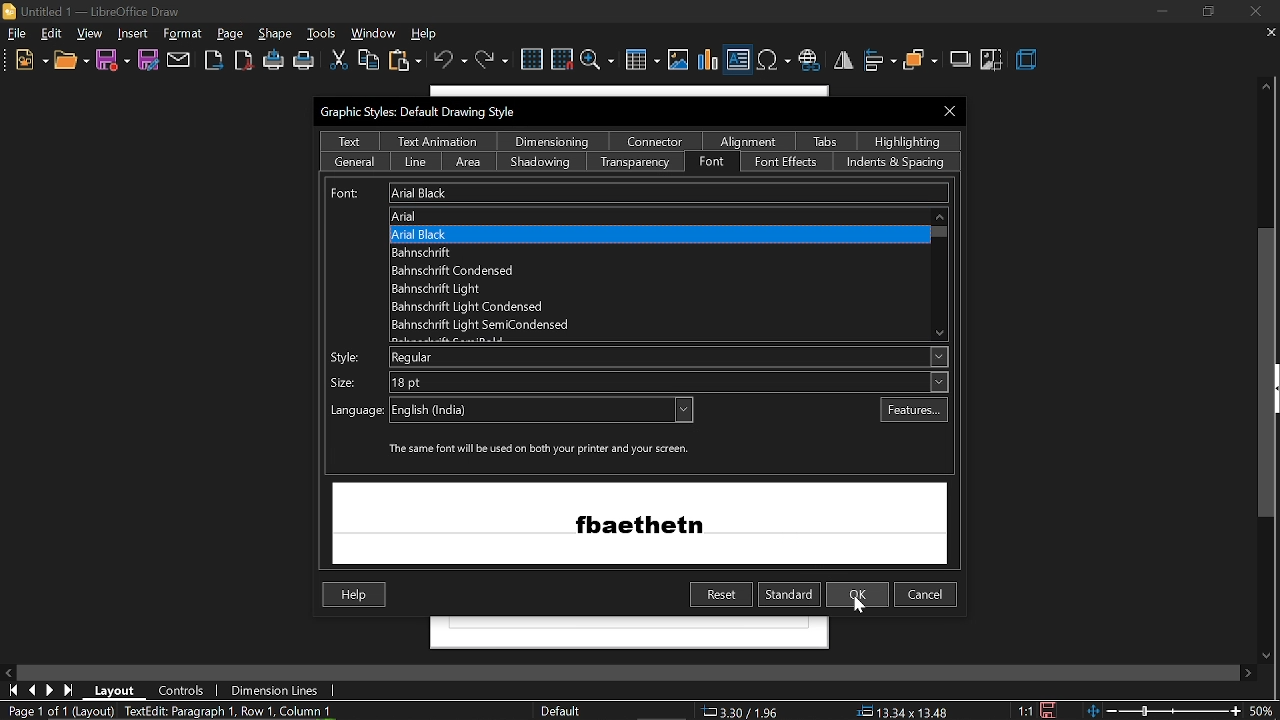 The height and width of the screenshot is (720, 1280). I want to click on text, so click(348, 141).